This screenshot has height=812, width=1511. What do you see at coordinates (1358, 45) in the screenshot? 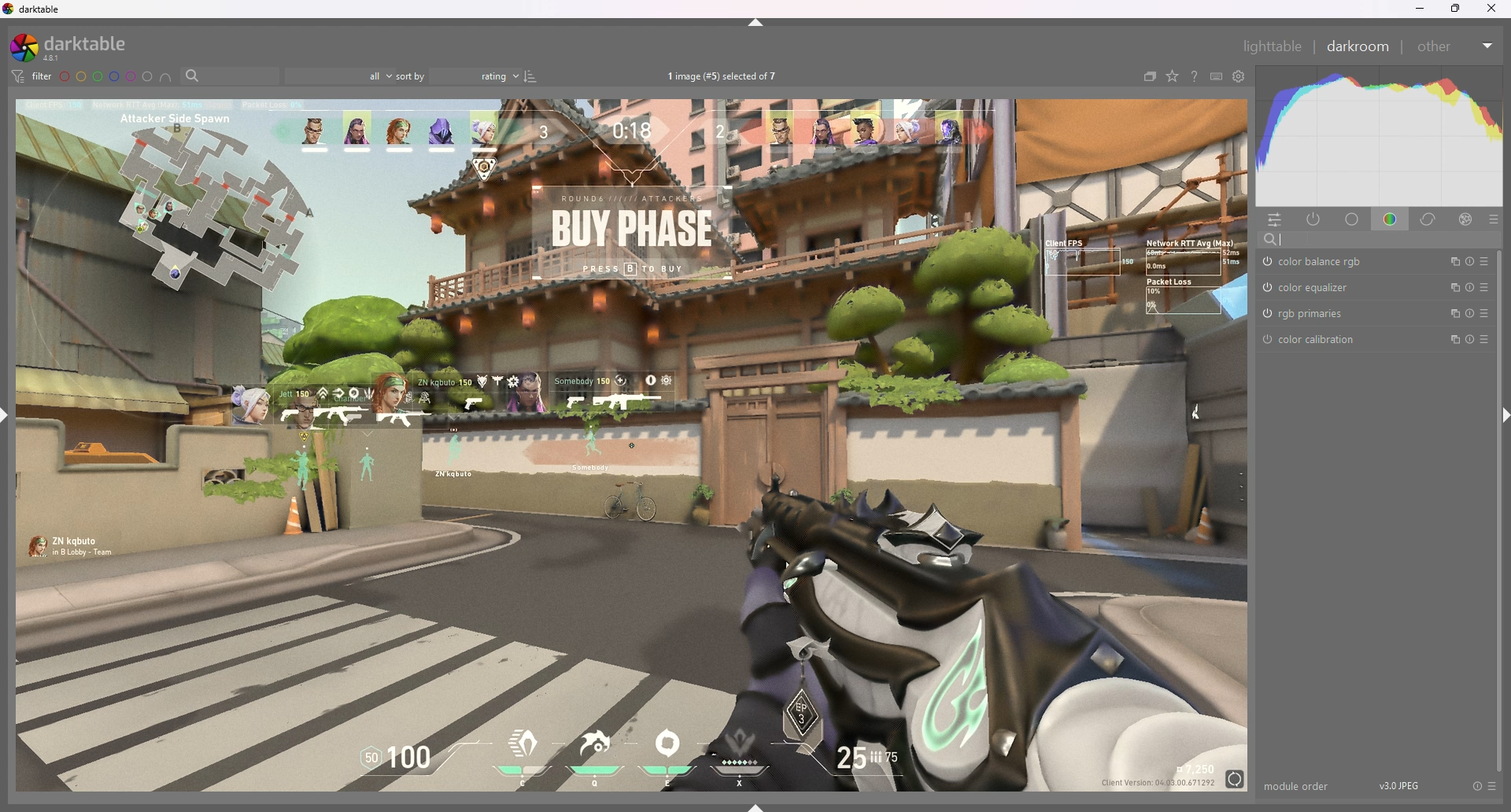
I see `darkroom` at bounding box center [1358, 45].